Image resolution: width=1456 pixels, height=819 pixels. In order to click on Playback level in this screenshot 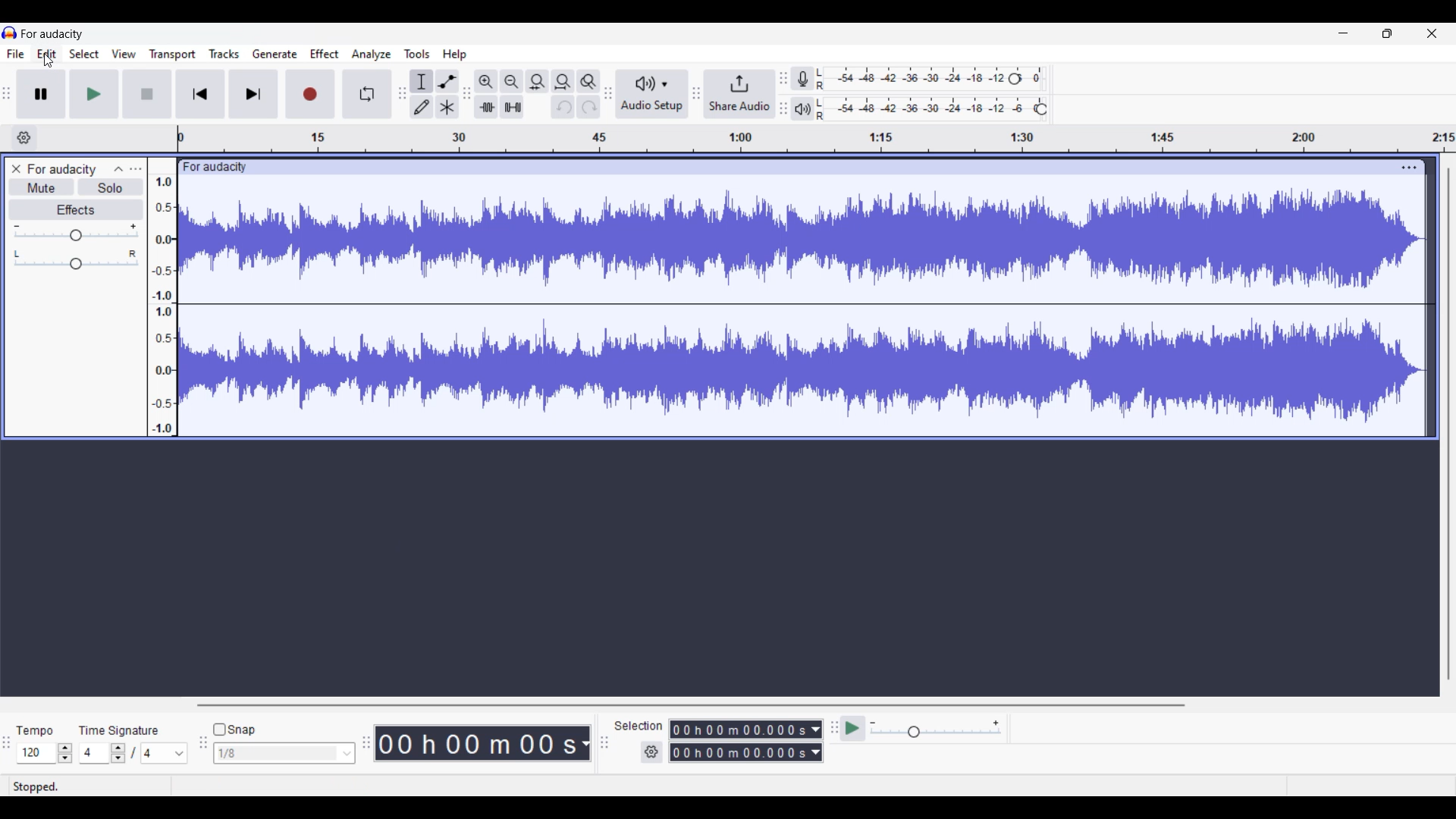, I will do `click(923, 109)`.